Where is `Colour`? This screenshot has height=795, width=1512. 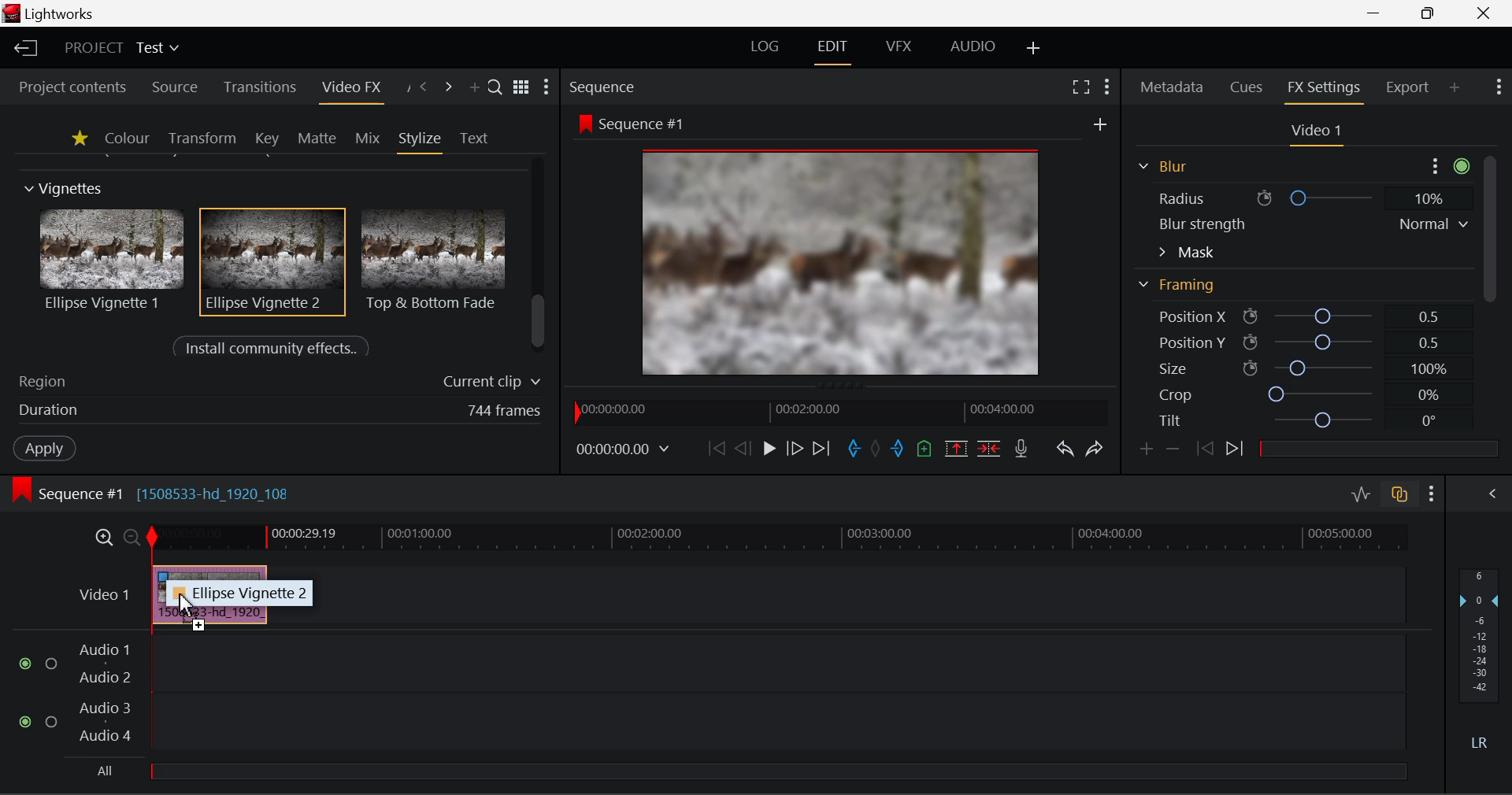 Colour is located at coordinates (126, 138).